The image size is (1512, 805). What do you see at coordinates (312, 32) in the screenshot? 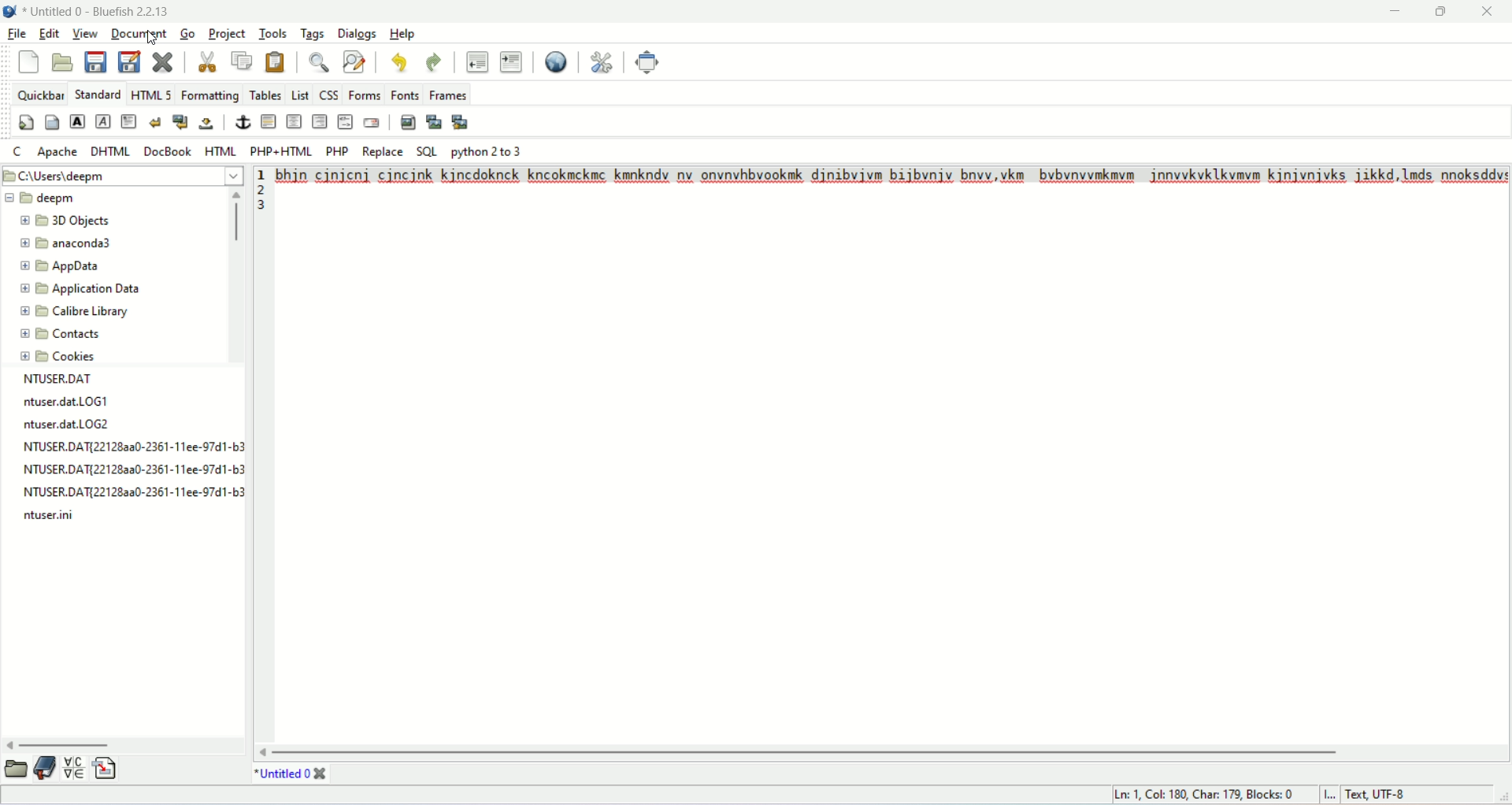
I see `tags` at bounding box center [312, 32].